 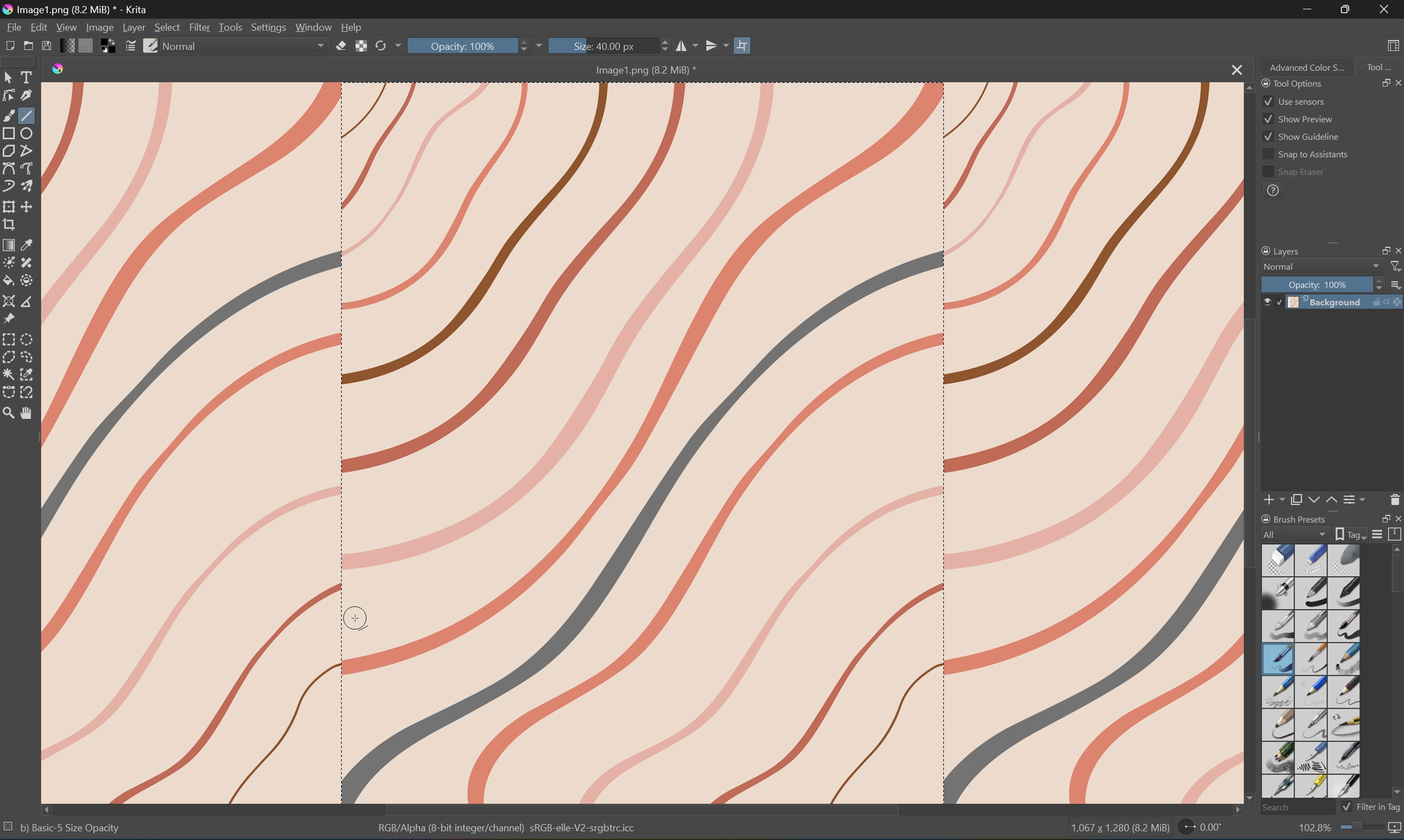 What do you see at coordinates (1337, 246) in the screenshot?
I see `Expand` at bounding box center [1337, 246].